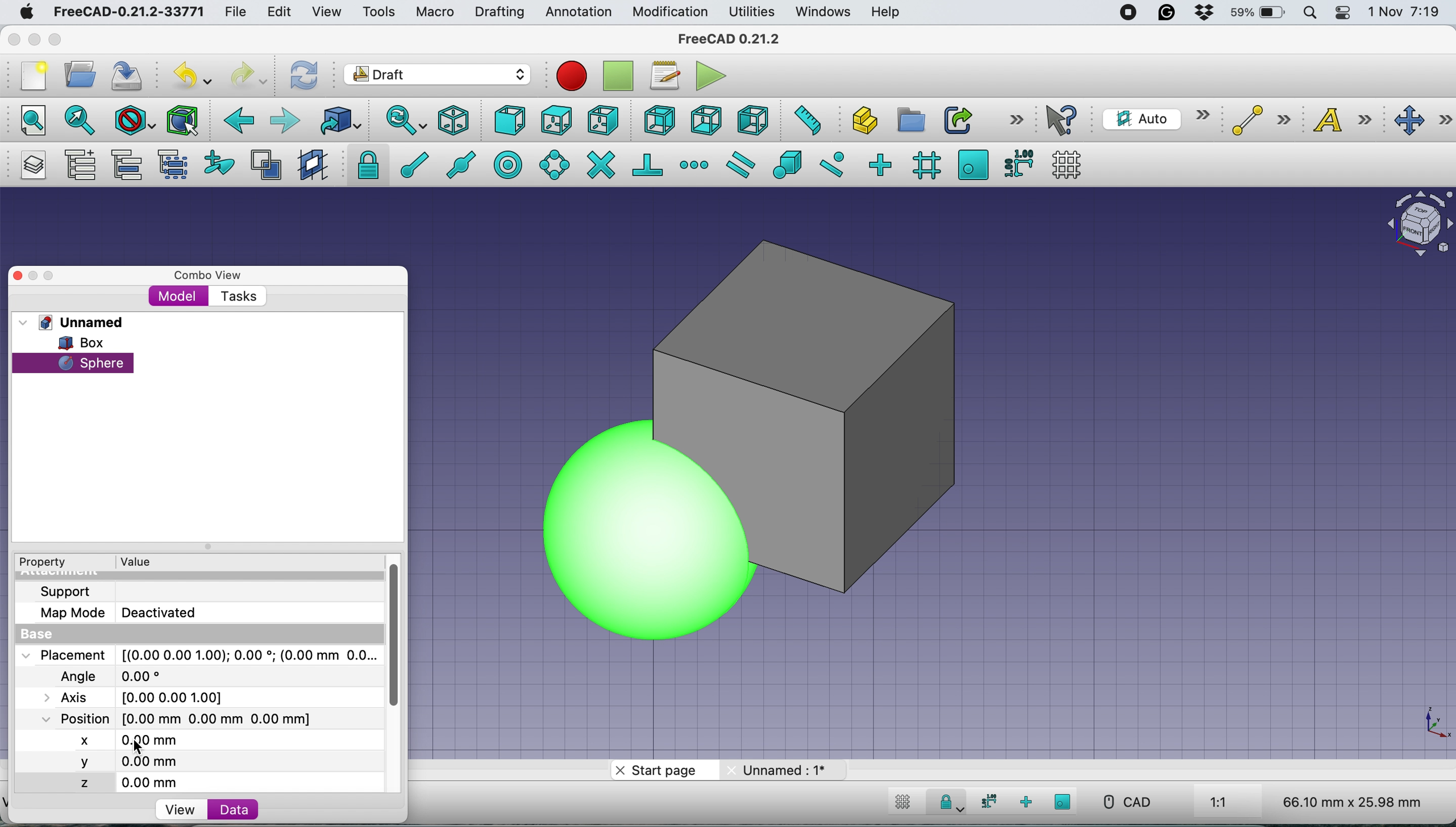 The height and width of the screenshot is (827, 1456). Describe the element at coordinates (658, 120) in the screenshot. I see `rear` at that location.